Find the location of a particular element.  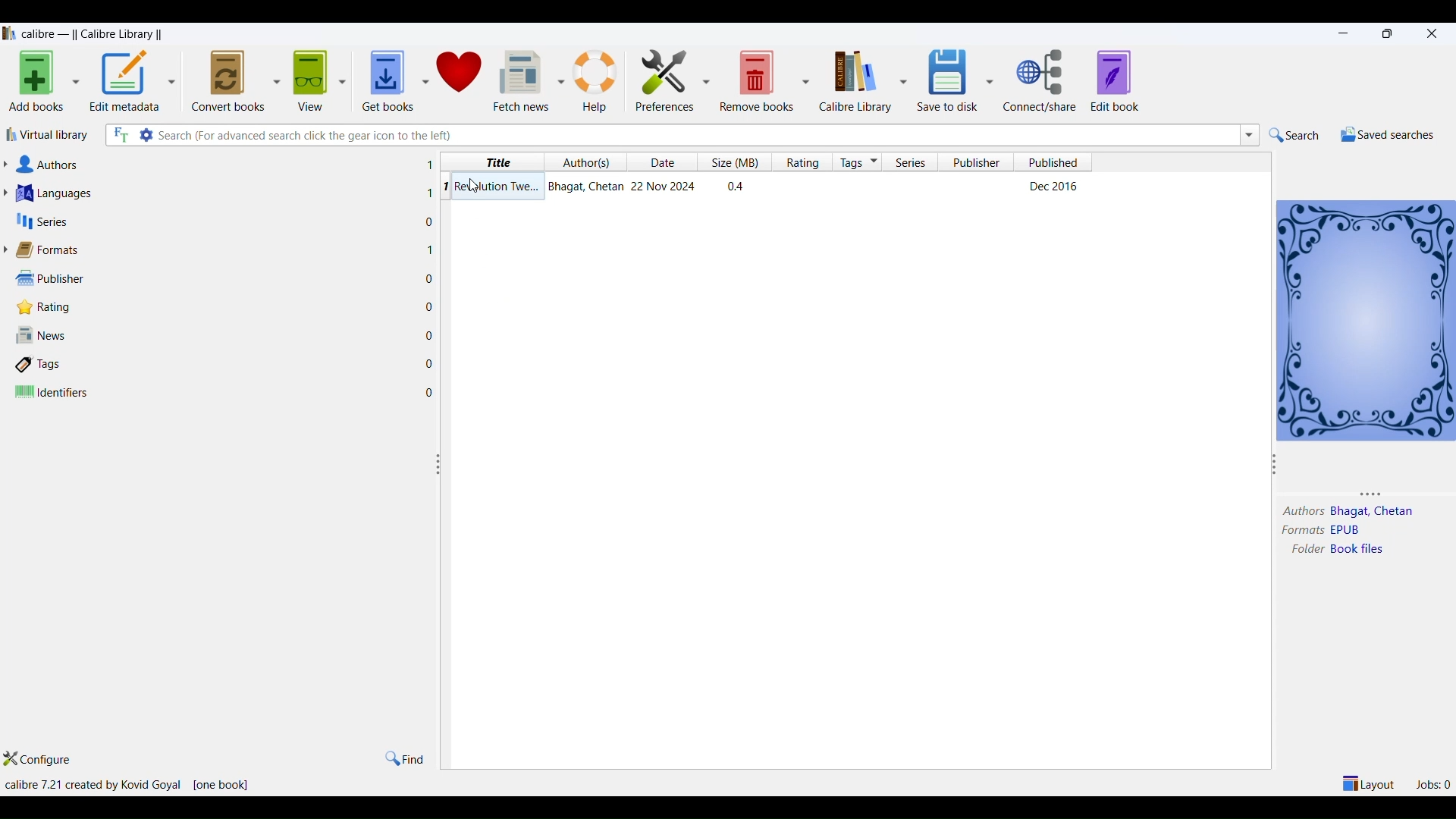

publisher is located at coordinates (46, 278).